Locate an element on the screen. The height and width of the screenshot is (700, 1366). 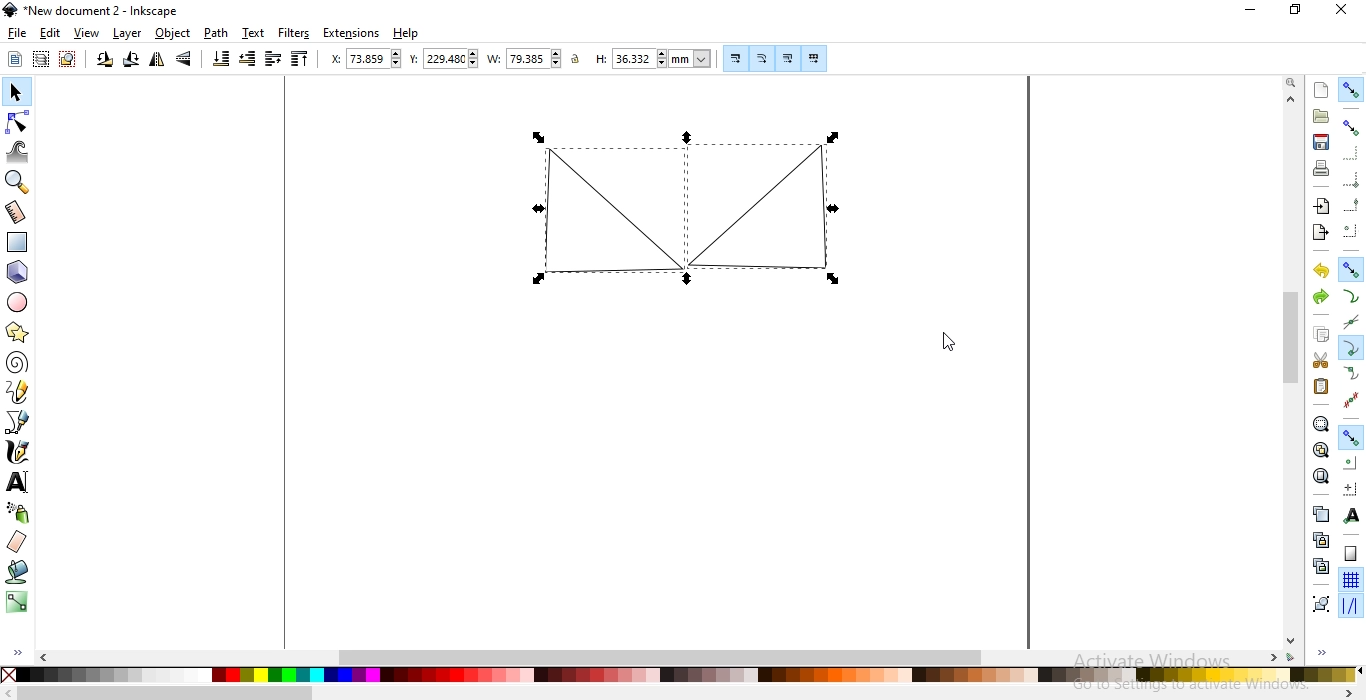
zoom in or out is located at coordinates (17, 183).